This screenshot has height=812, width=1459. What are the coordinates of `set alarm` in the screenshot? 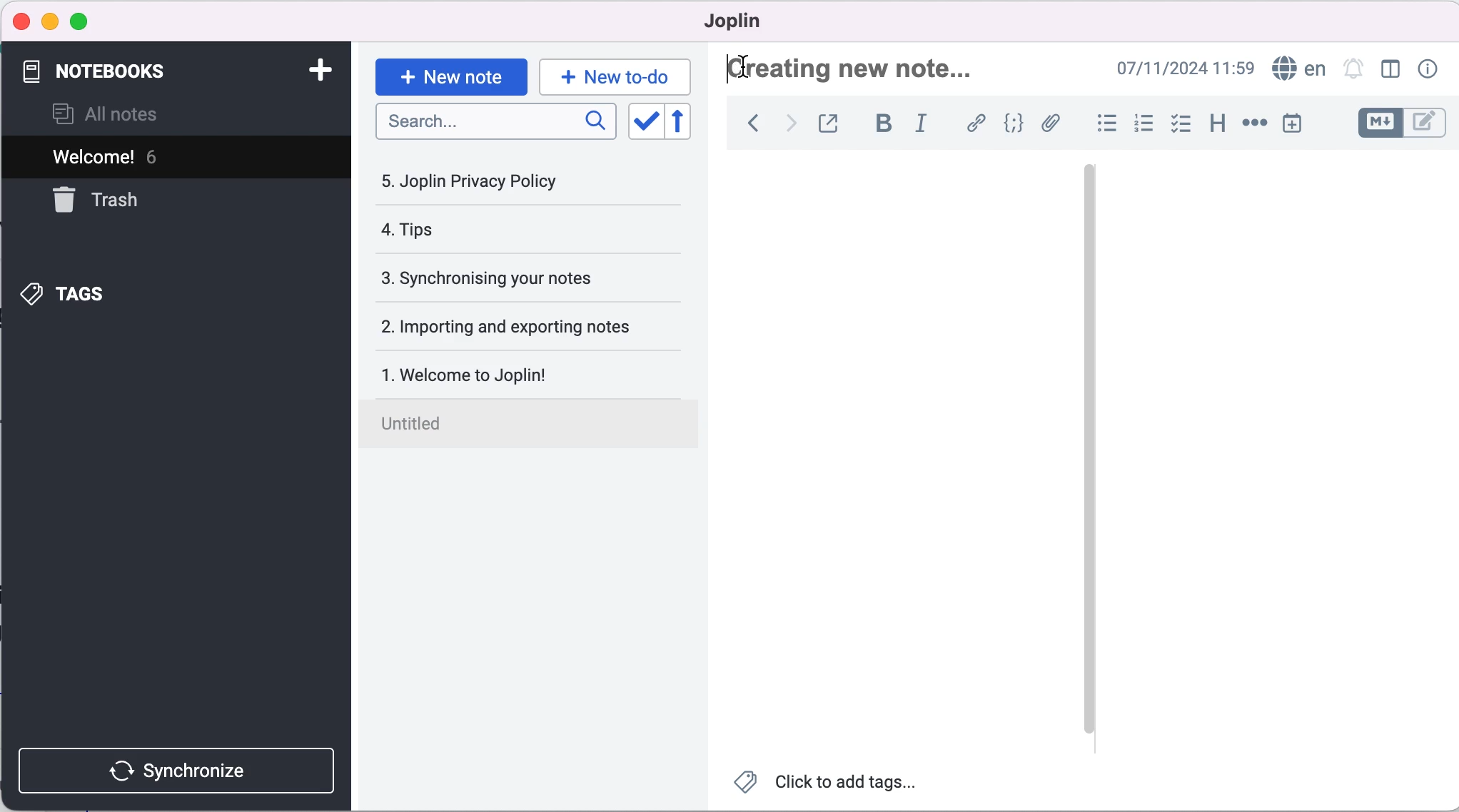 It's located at (1353, 70).